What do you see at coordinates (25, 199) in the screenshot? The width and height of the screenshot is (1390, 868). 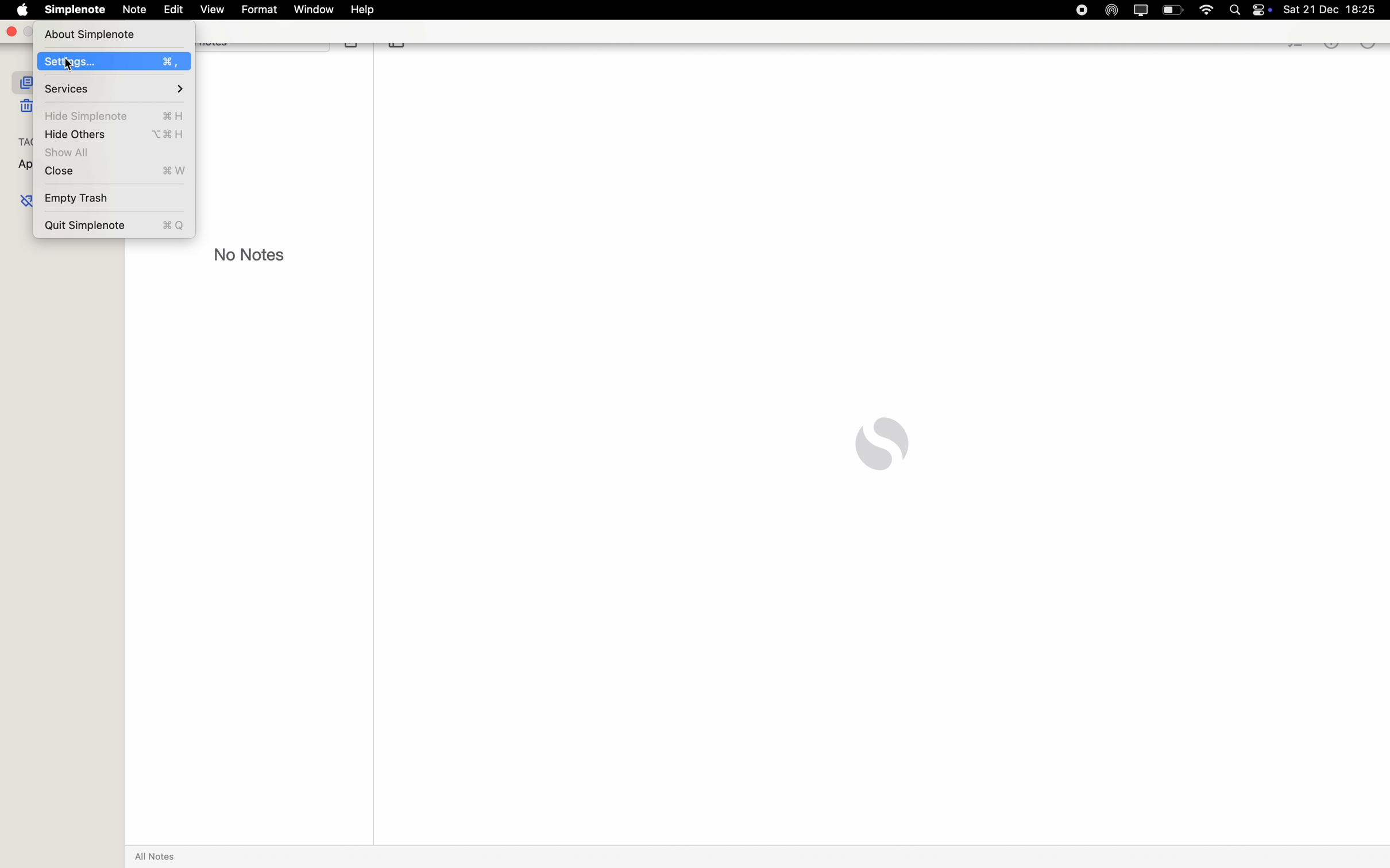 I see `untagged` at bounding box center [25, 199].